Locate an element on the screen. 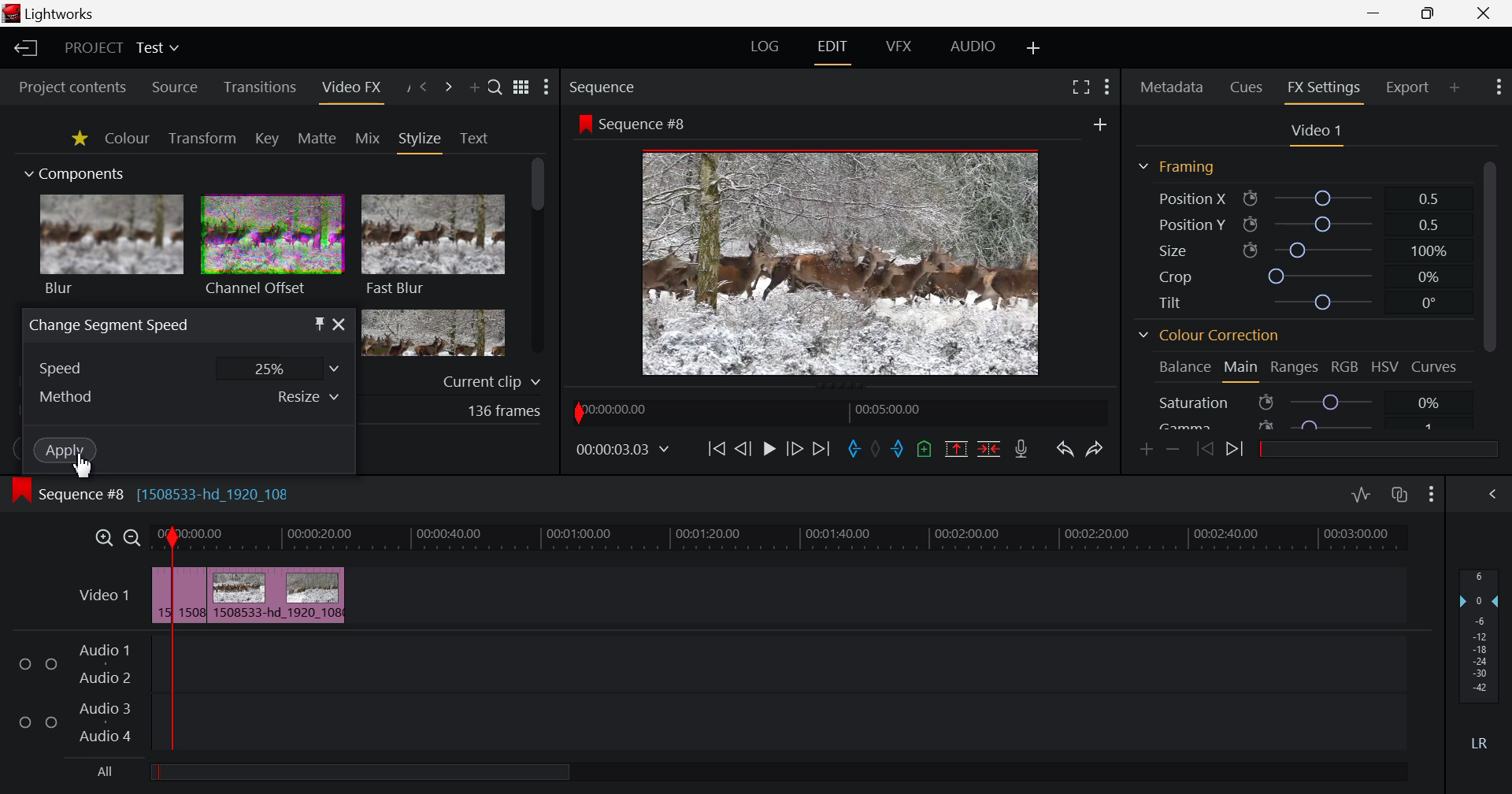 This screenshot has height=794, width=1512. Project Title is located at coordinates (124, 47).